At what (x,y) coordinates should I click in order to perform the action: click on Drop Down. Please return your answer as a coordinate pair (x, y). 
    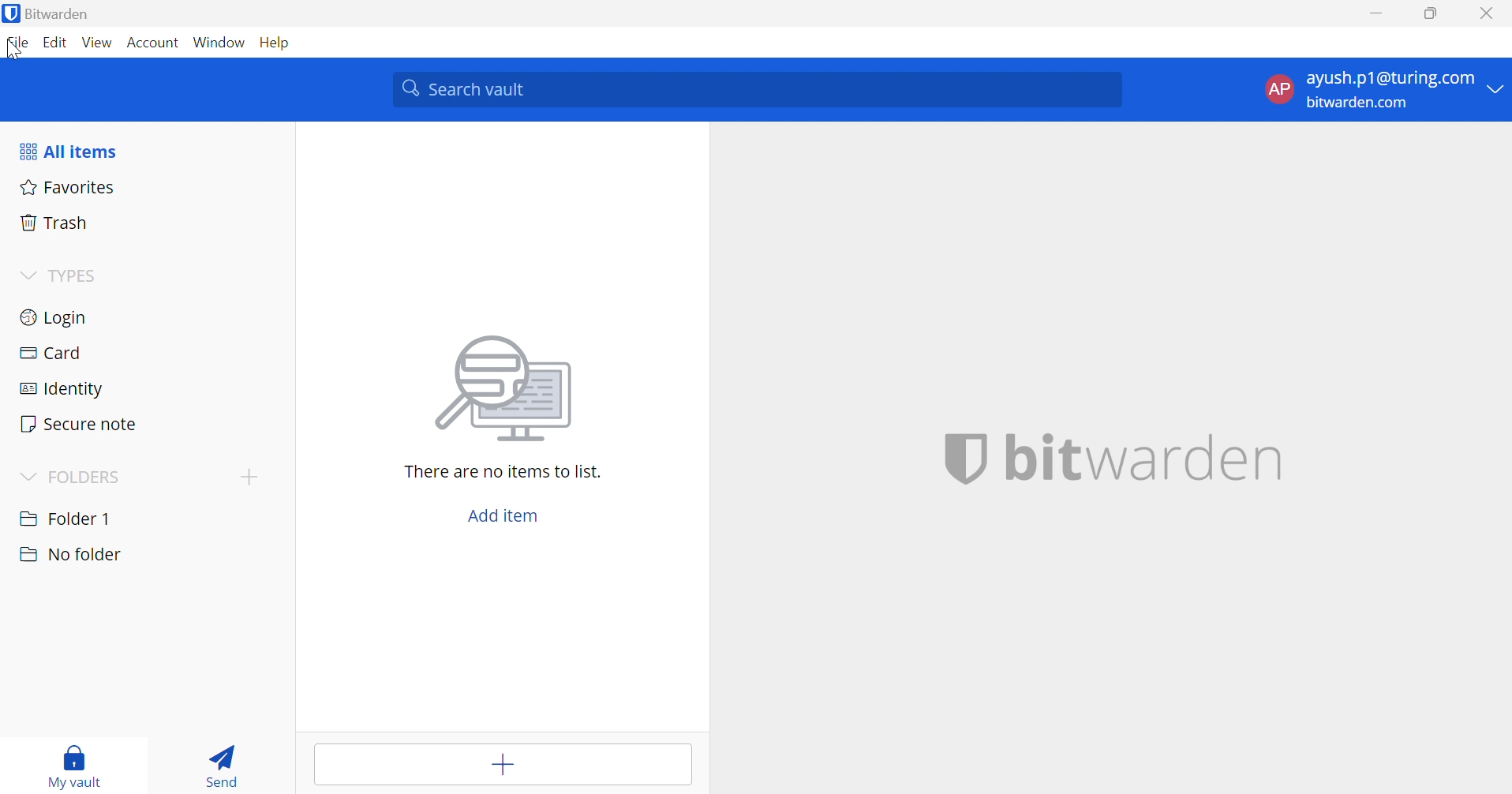
    Looking at the image, I should click on (1496, 90).